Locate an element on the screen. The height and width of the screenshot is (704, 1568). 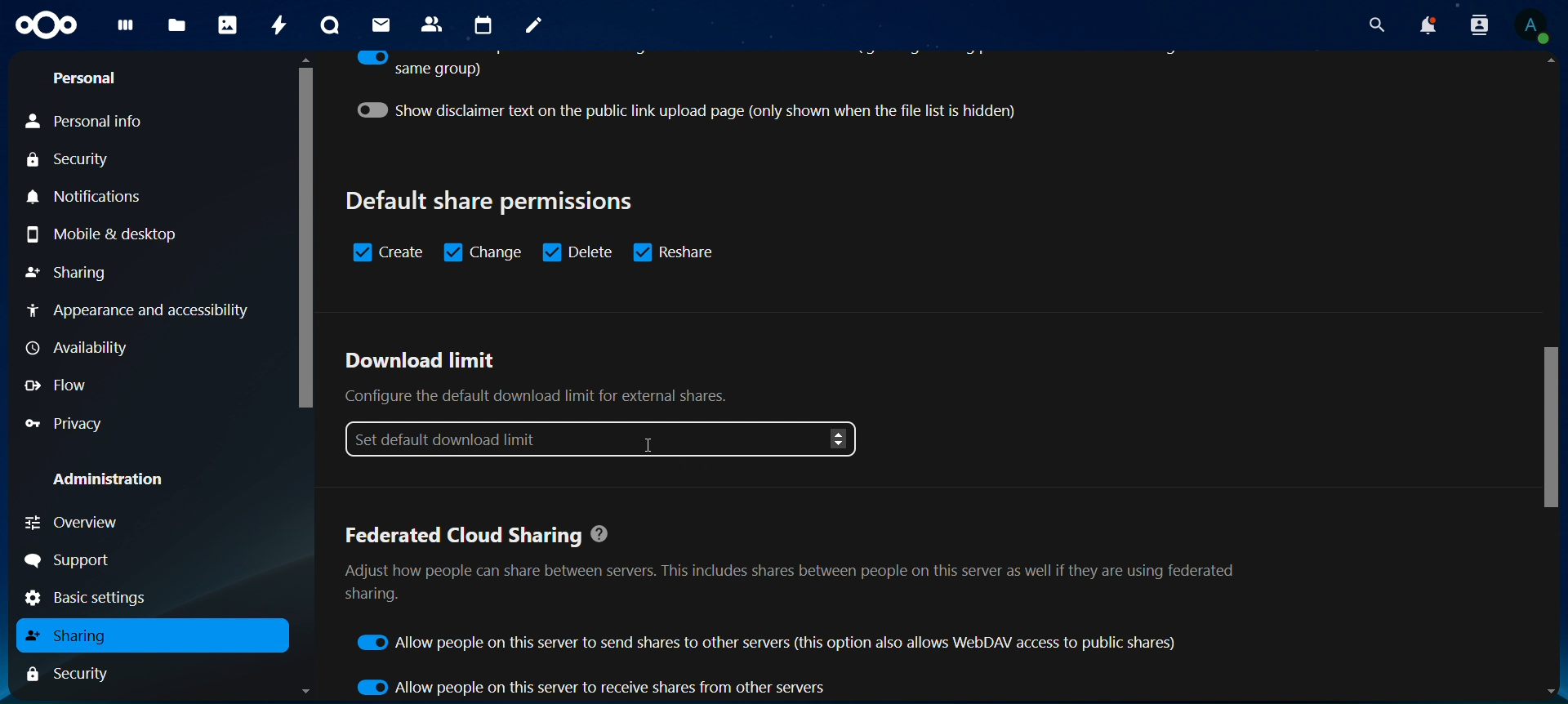
View Profile is located at coordinates (1536, 26).